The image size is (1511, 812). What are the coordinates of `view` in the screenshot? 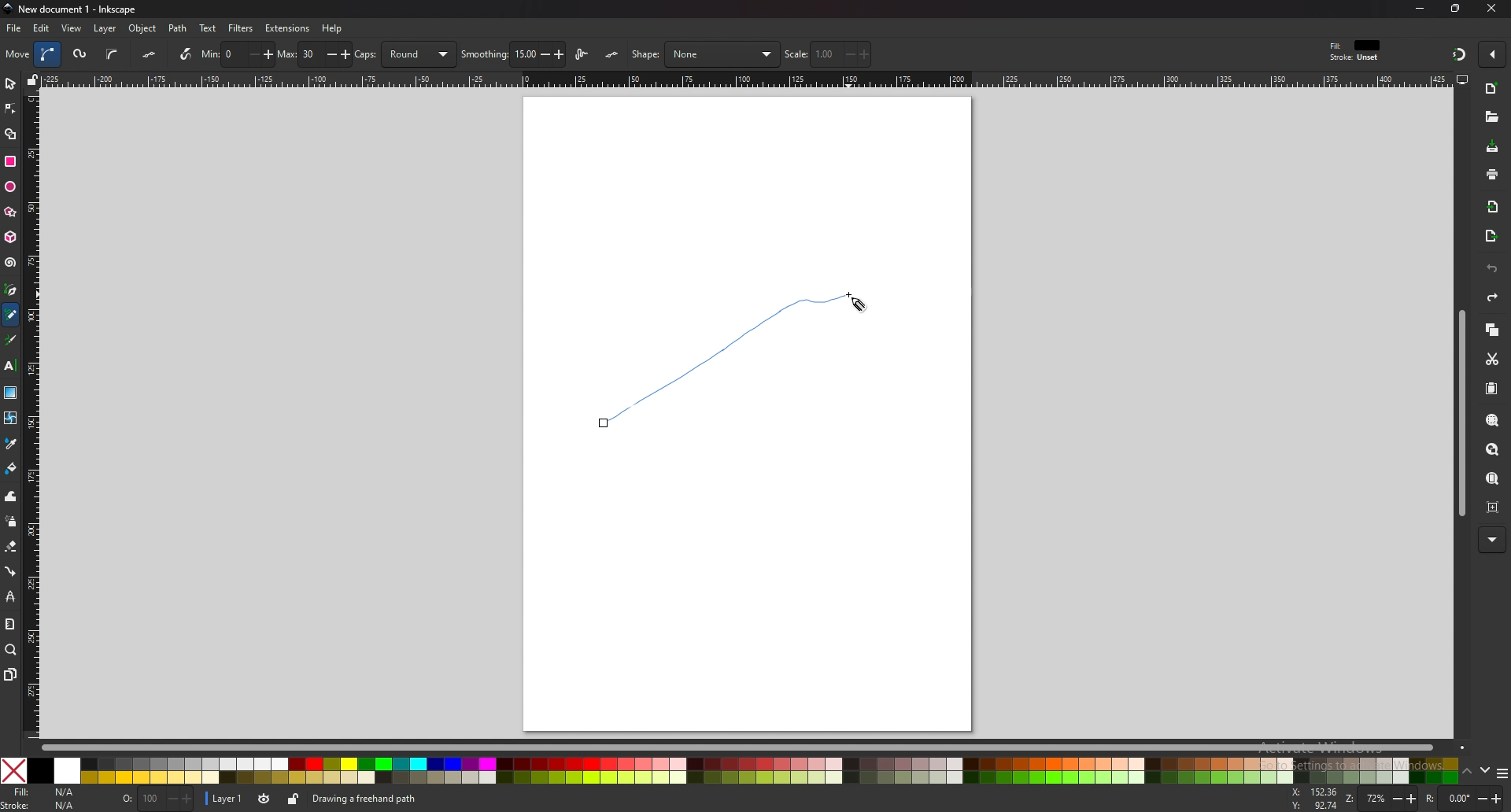 It's located at (73, 28).